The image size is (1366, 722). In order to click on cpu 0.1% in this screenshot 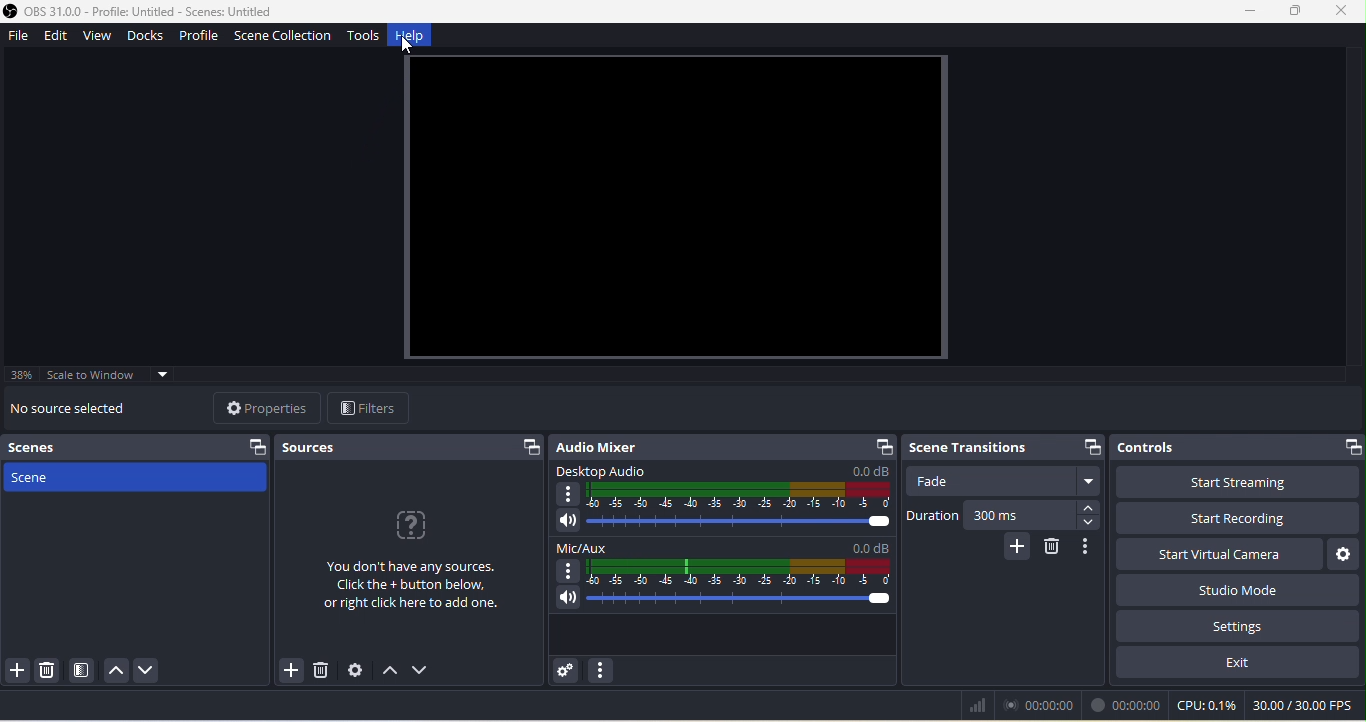, I will do `click(1206, 706)`.